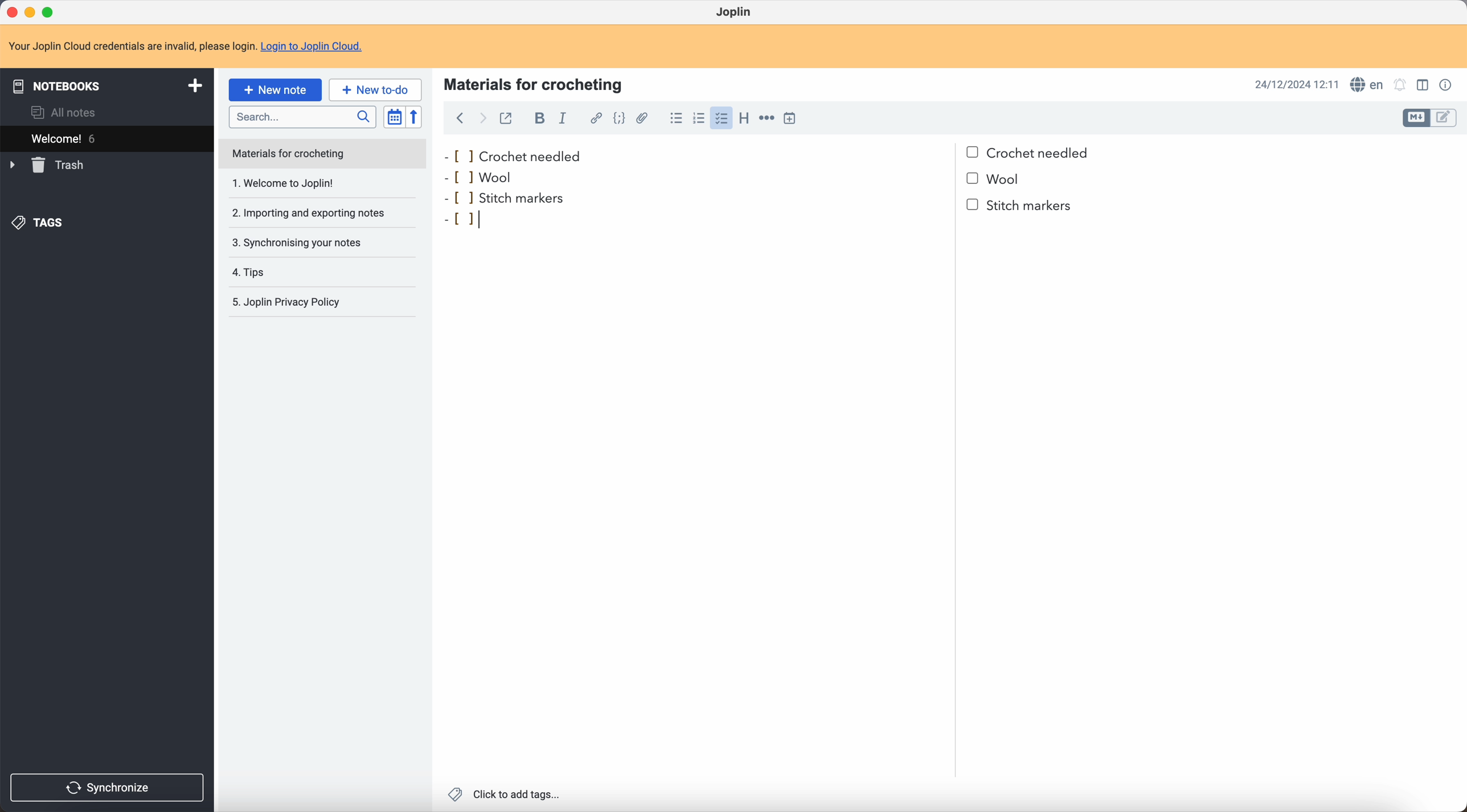  What do you see at coordinates (416, 117) in the screenshot?
I see `reverse sort order` at bounding box center [416, 117].